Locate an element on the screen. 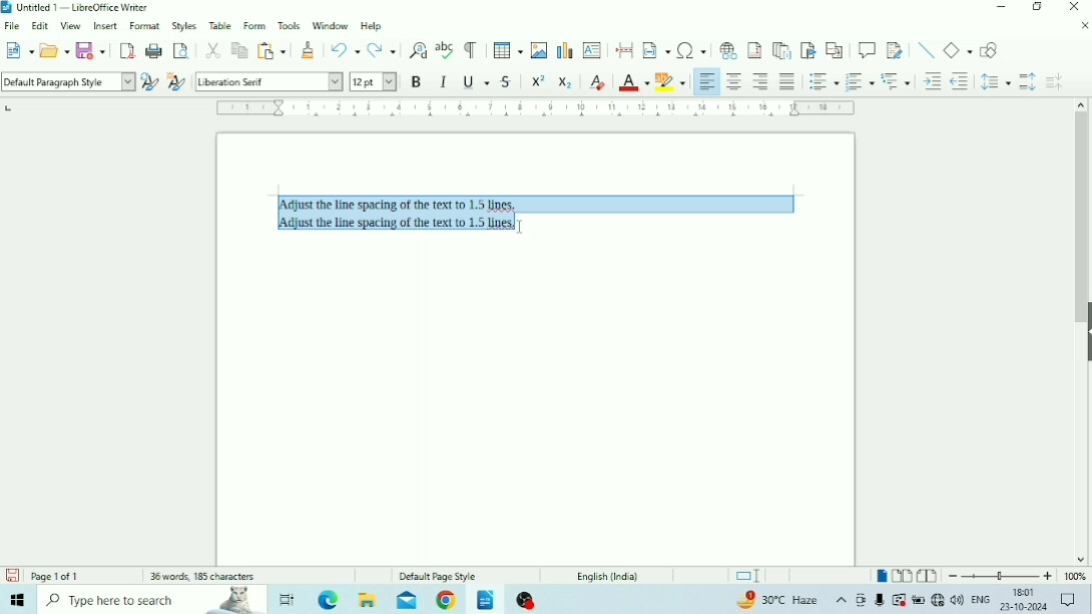  Export as PDF is located at coordinates (126, 51).